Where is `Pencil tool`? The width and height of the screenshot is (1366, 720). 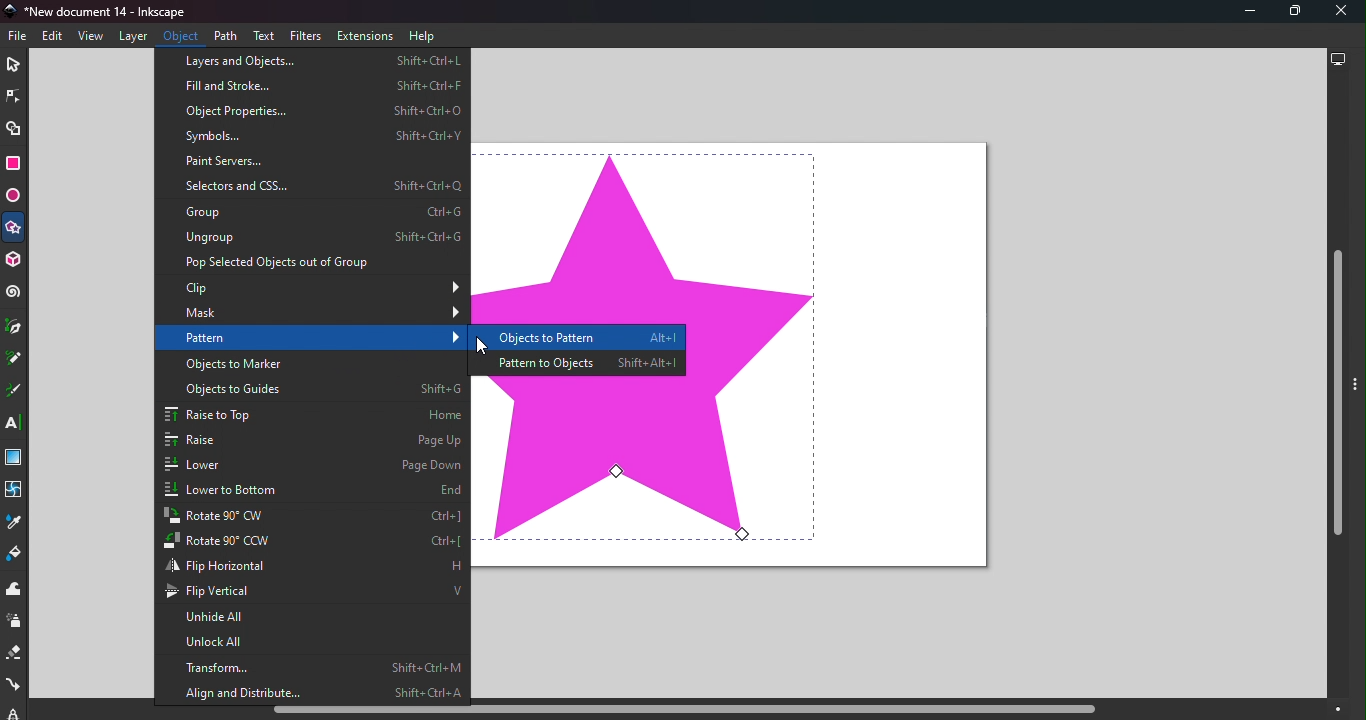
Pencil tool is located at coordinates (14, 360).